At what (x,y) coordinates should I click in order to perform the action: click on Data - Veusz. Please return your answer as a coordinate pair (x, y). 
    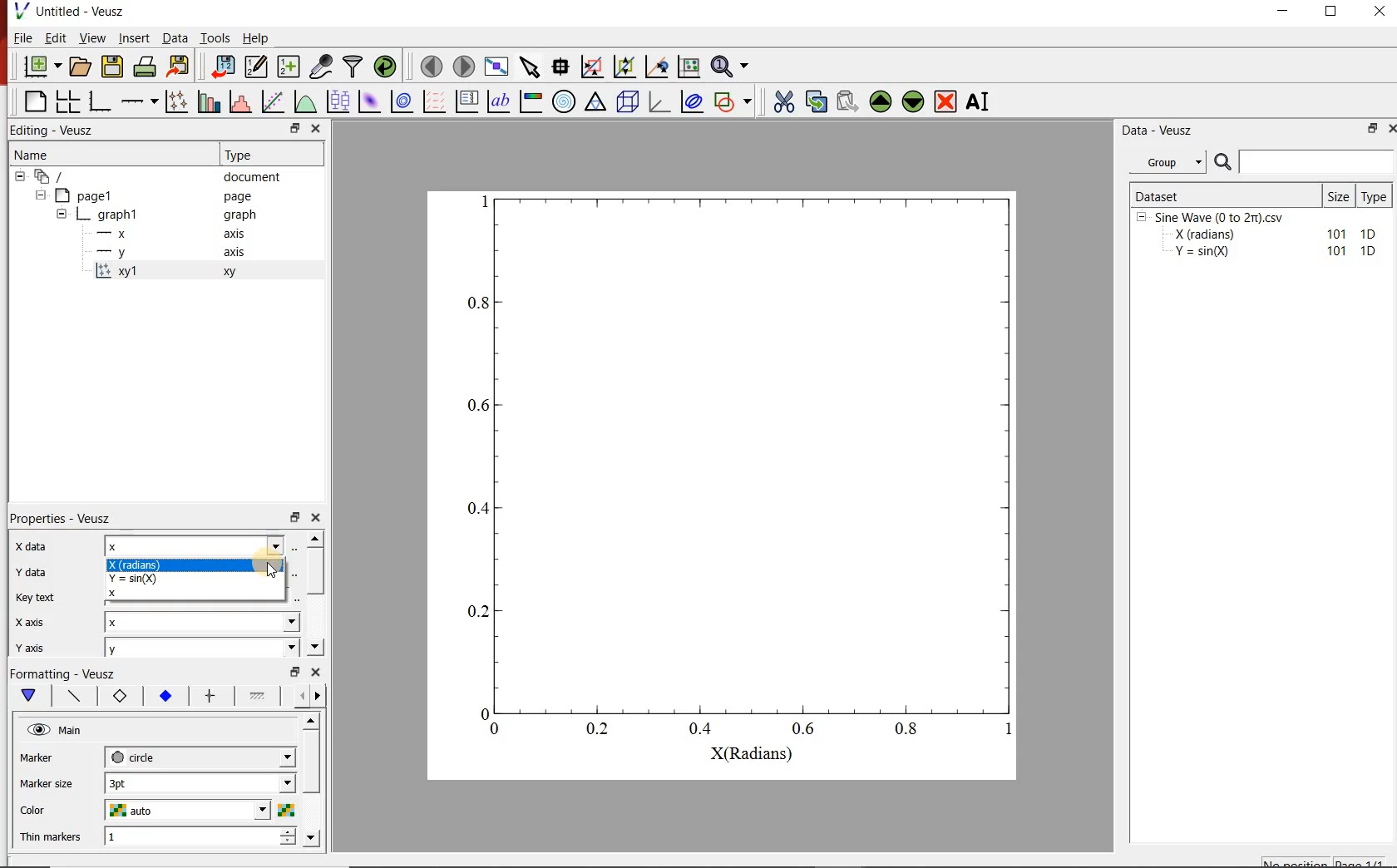
    Looking at the image, I should click on (1160, 131).